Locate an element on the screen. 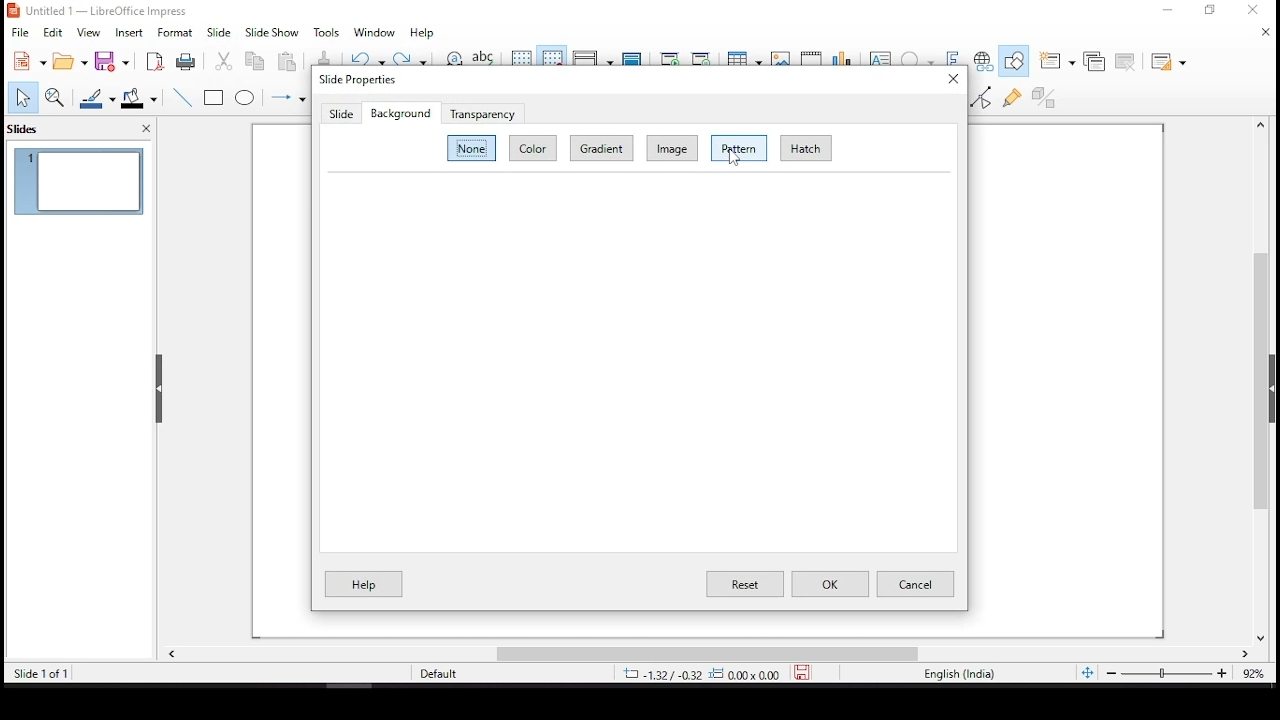 This screenshot has width=1280, height=720. slide show is located at coordinates (272, 31).